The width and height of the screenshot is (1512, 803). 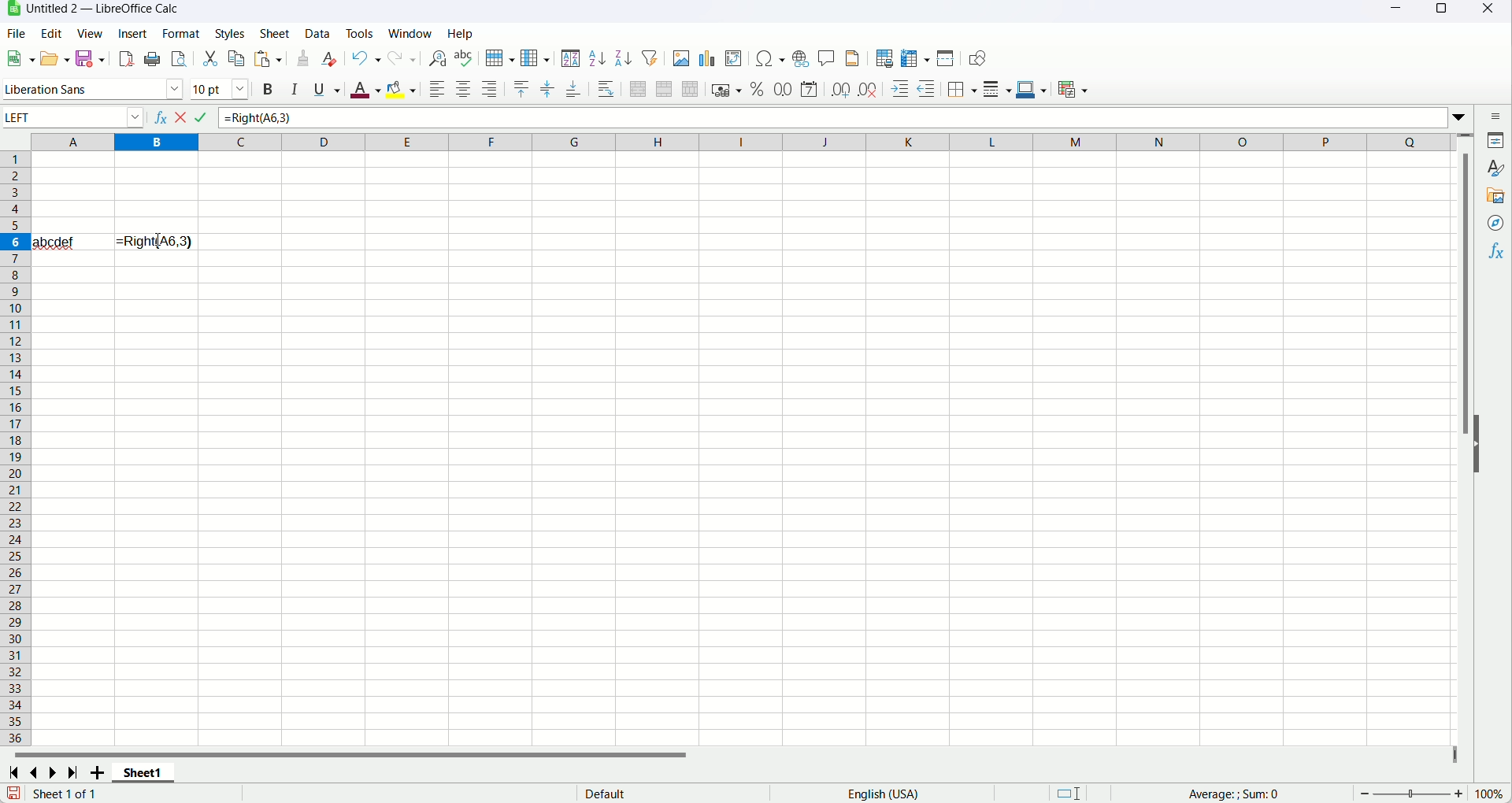 What do you see at coordinates (292, 88) in the screenshot?
I see `italics` at bounding box center [292, 88].